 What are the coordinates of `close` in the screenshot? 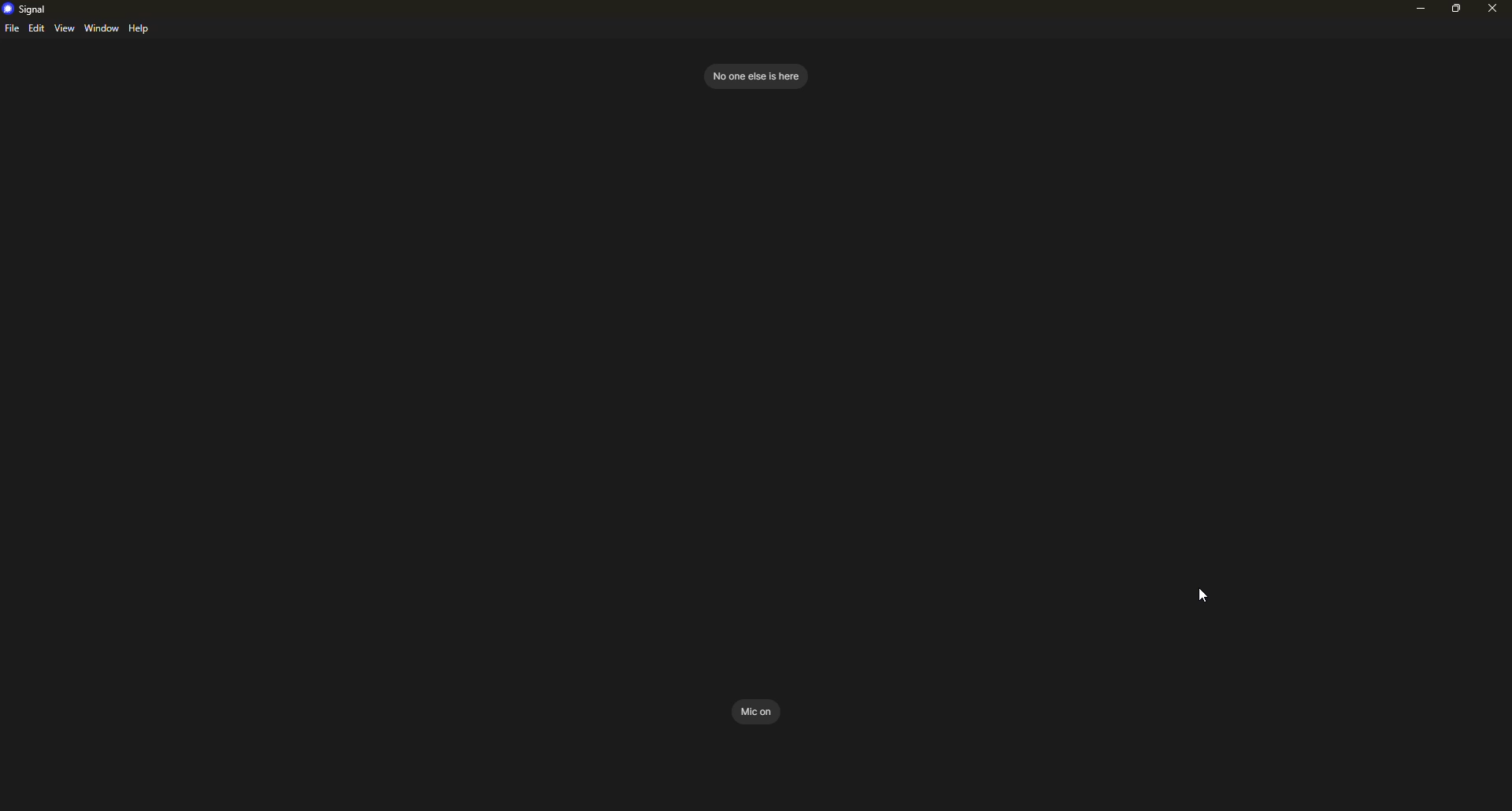 It's located at (1492, 9).